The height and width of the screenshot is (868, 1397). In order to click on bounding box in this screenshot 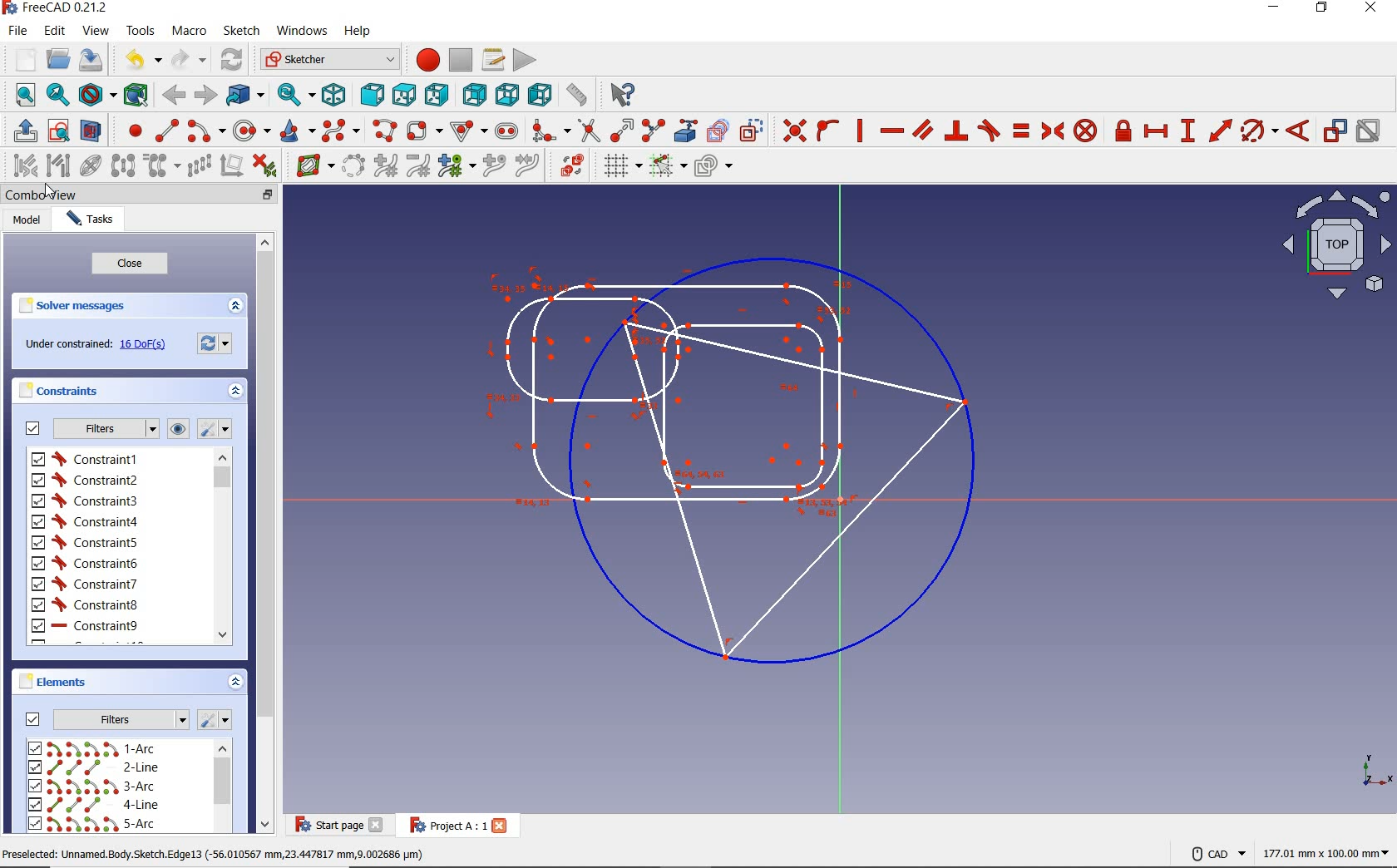, I will do `click(137, 93)`.